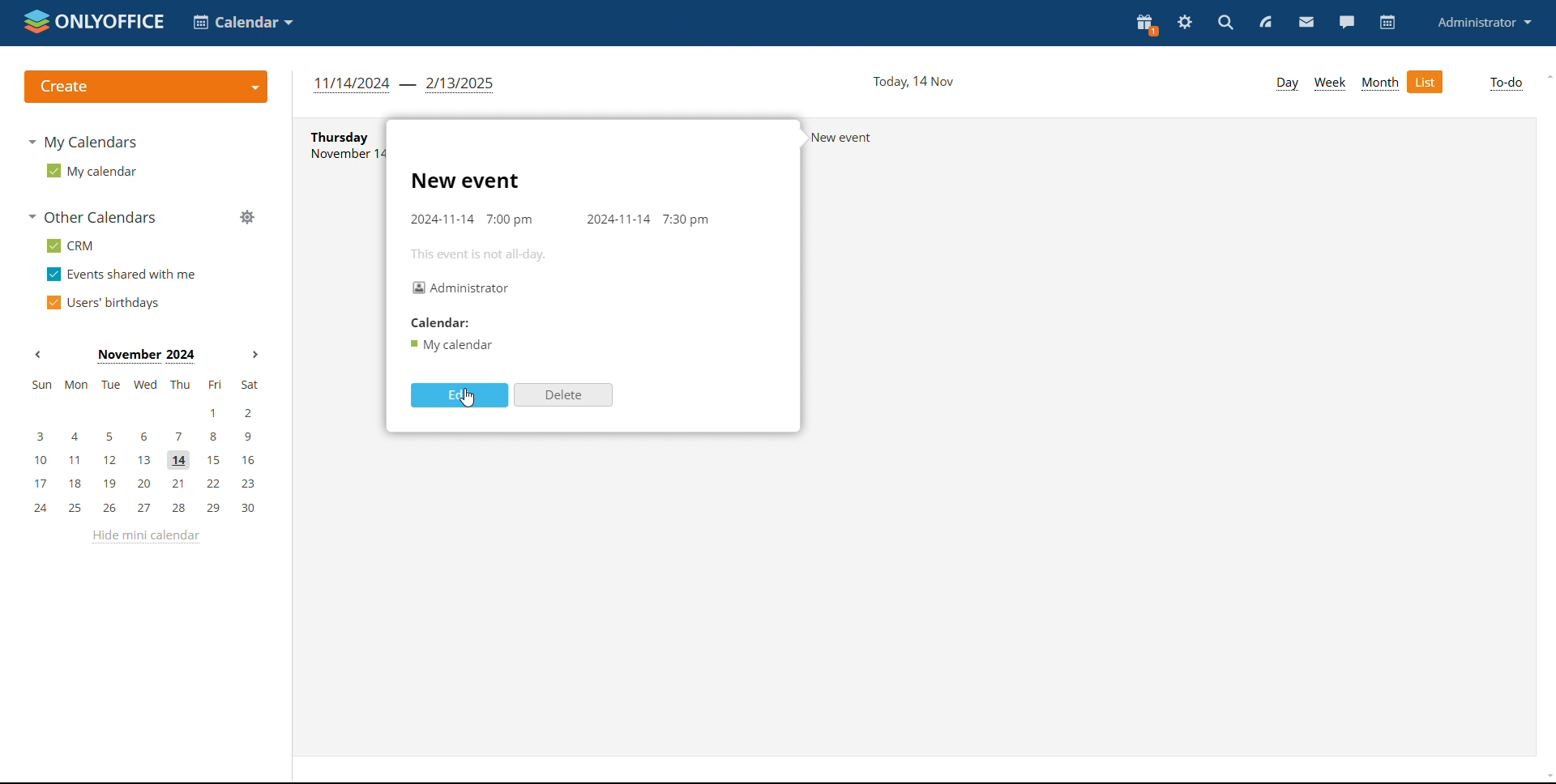 The height and width of the screenshot is (784, 1556). Describe the element at coordinates (1485, 22) in the screenshot. I see `profile` at that location.